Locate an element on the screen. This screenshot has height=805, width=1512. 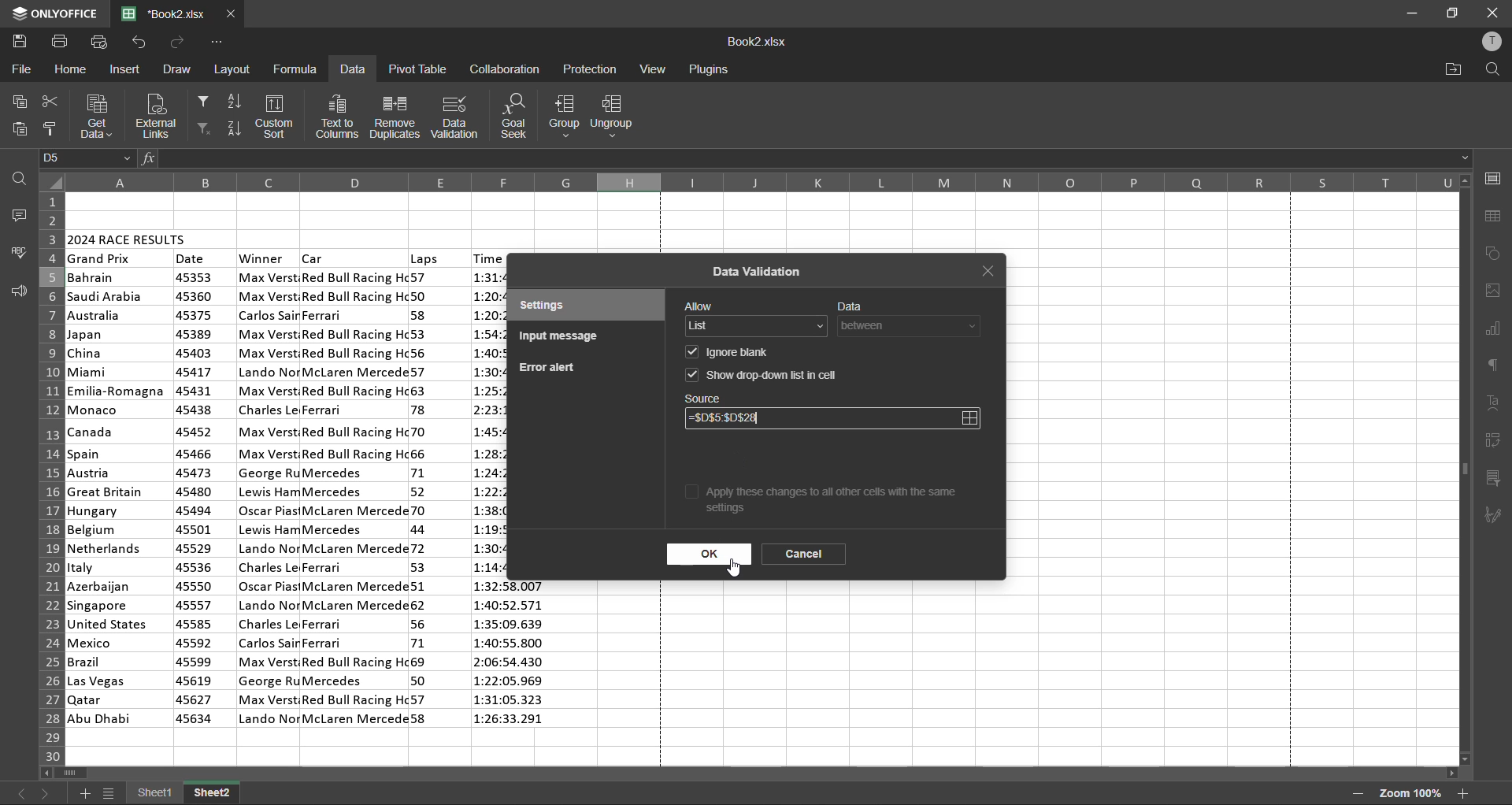
get data is located at coordinates (95, 116).